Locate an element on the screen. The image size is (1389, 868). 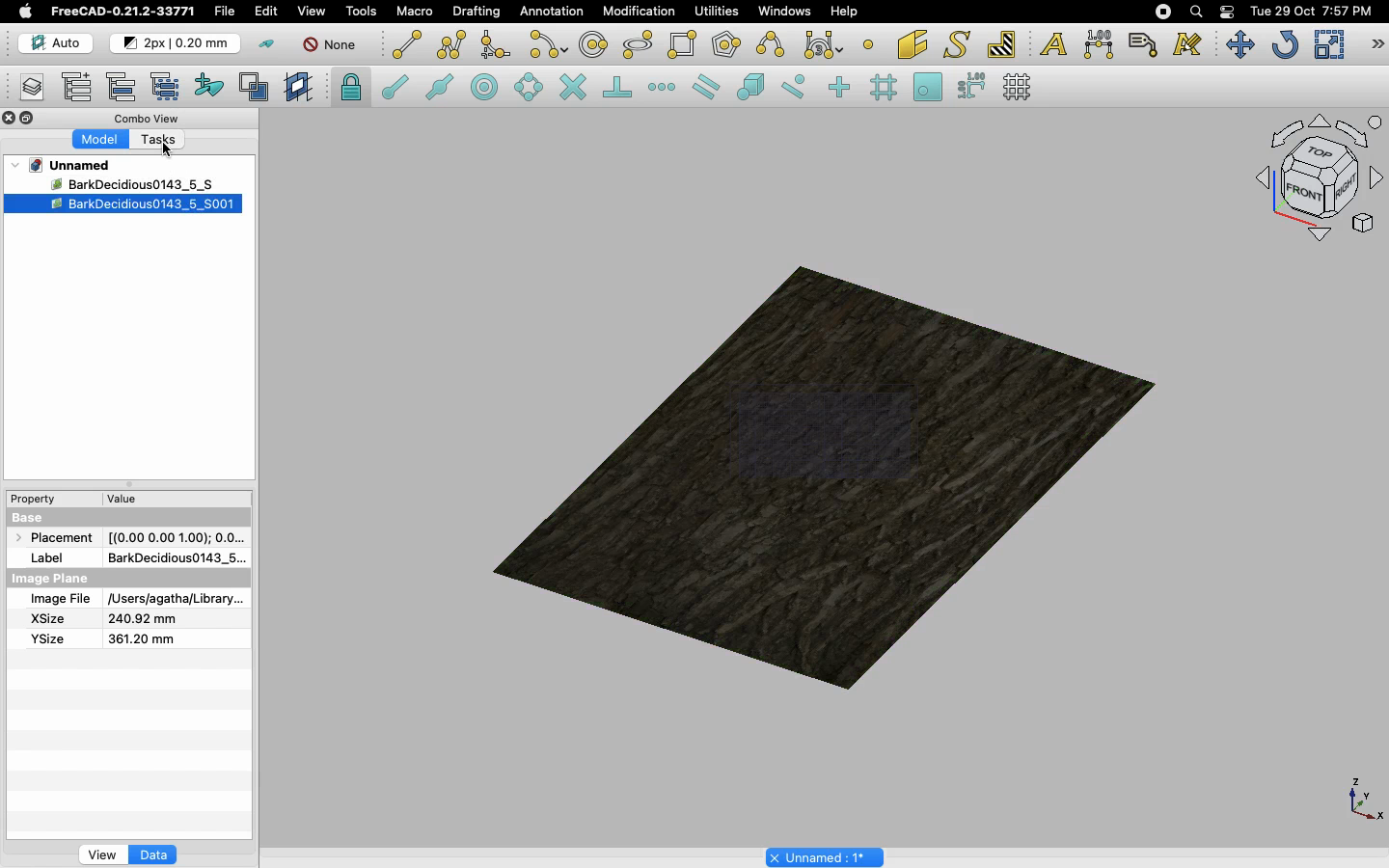
Search is located at coordinates (1195, 12).